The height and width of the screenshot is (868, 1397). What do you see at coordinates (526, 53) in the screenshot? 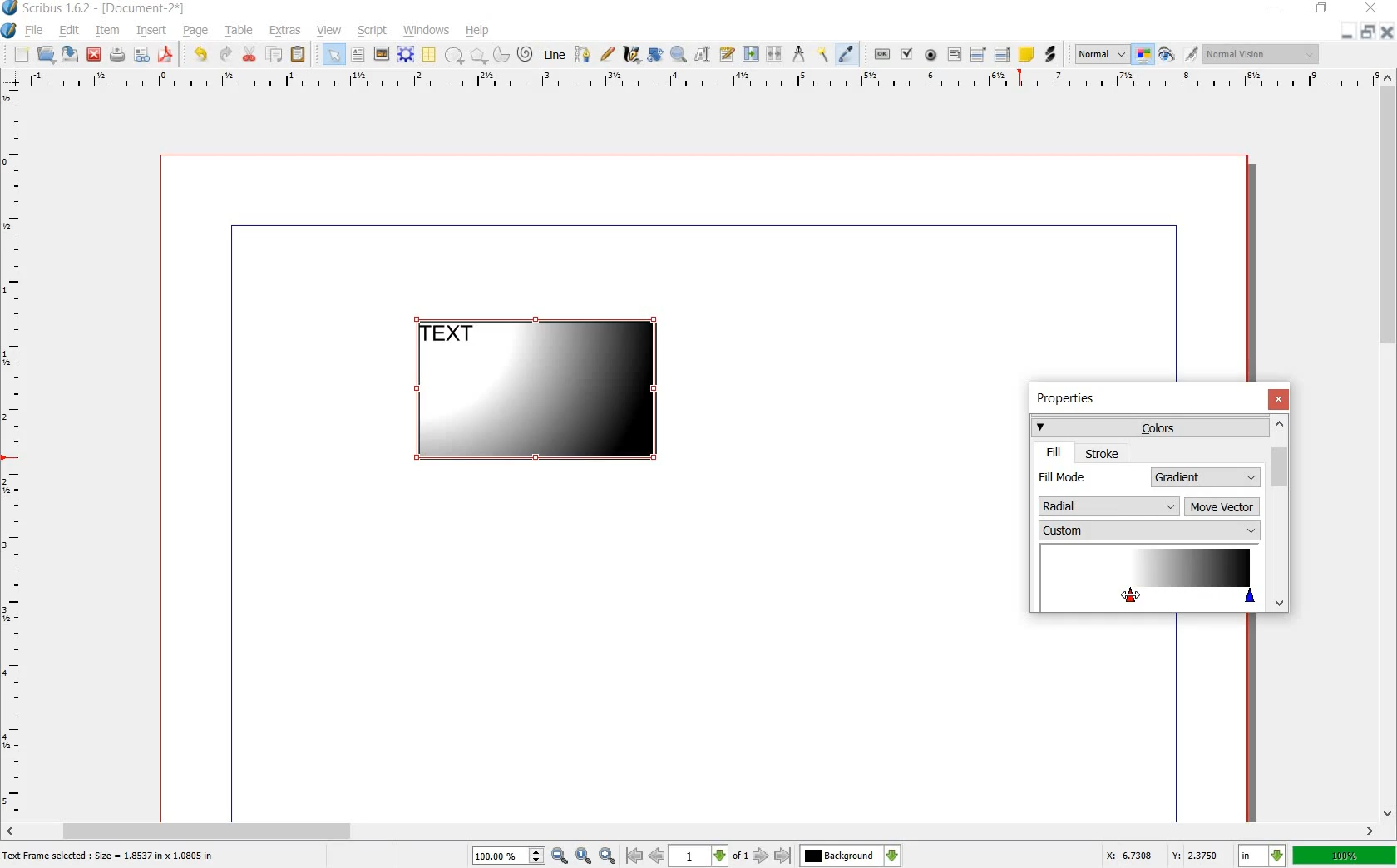
I see `spiral` at bounding box center [526, 53].